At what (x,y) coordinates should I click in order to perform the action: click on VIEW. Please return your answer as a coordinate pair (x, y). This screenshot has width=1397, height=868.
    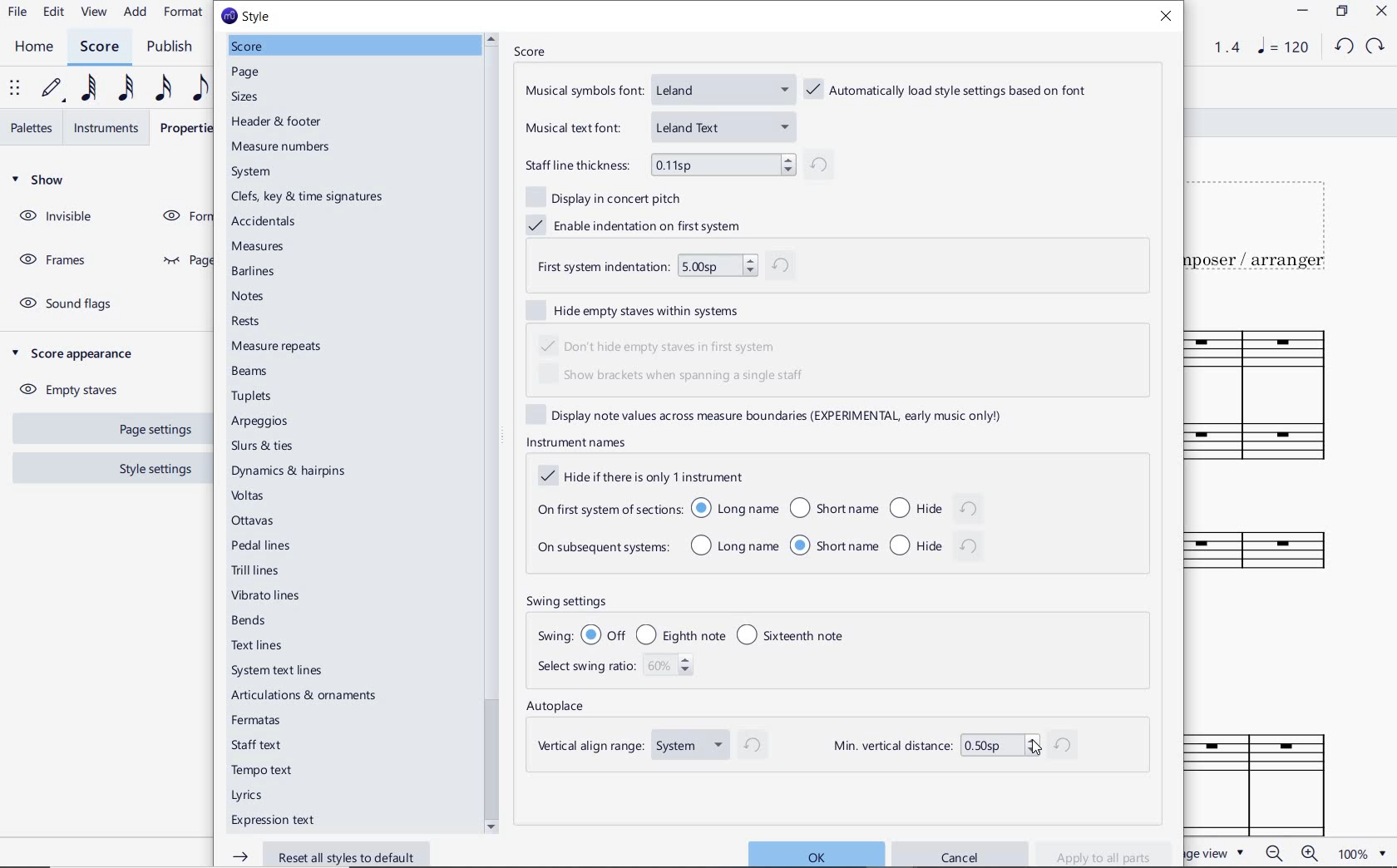
    Looking at the image, I should click on (96, 12).